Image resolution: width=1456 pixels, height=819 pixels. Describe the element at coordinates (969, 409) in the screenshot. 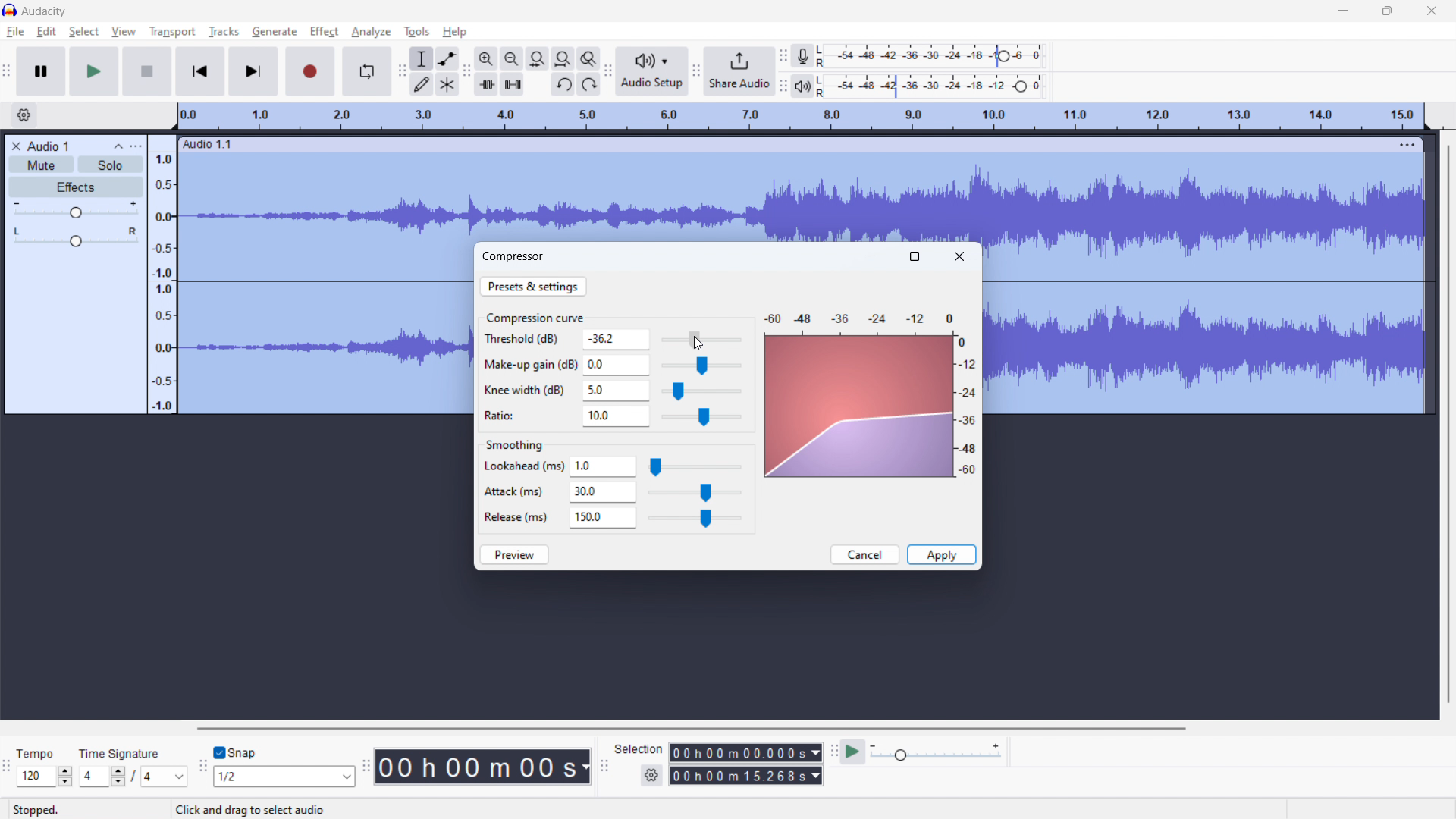

I see `0 -12 -24 -36 -48 -60 (Curve y-axis)` at that location.